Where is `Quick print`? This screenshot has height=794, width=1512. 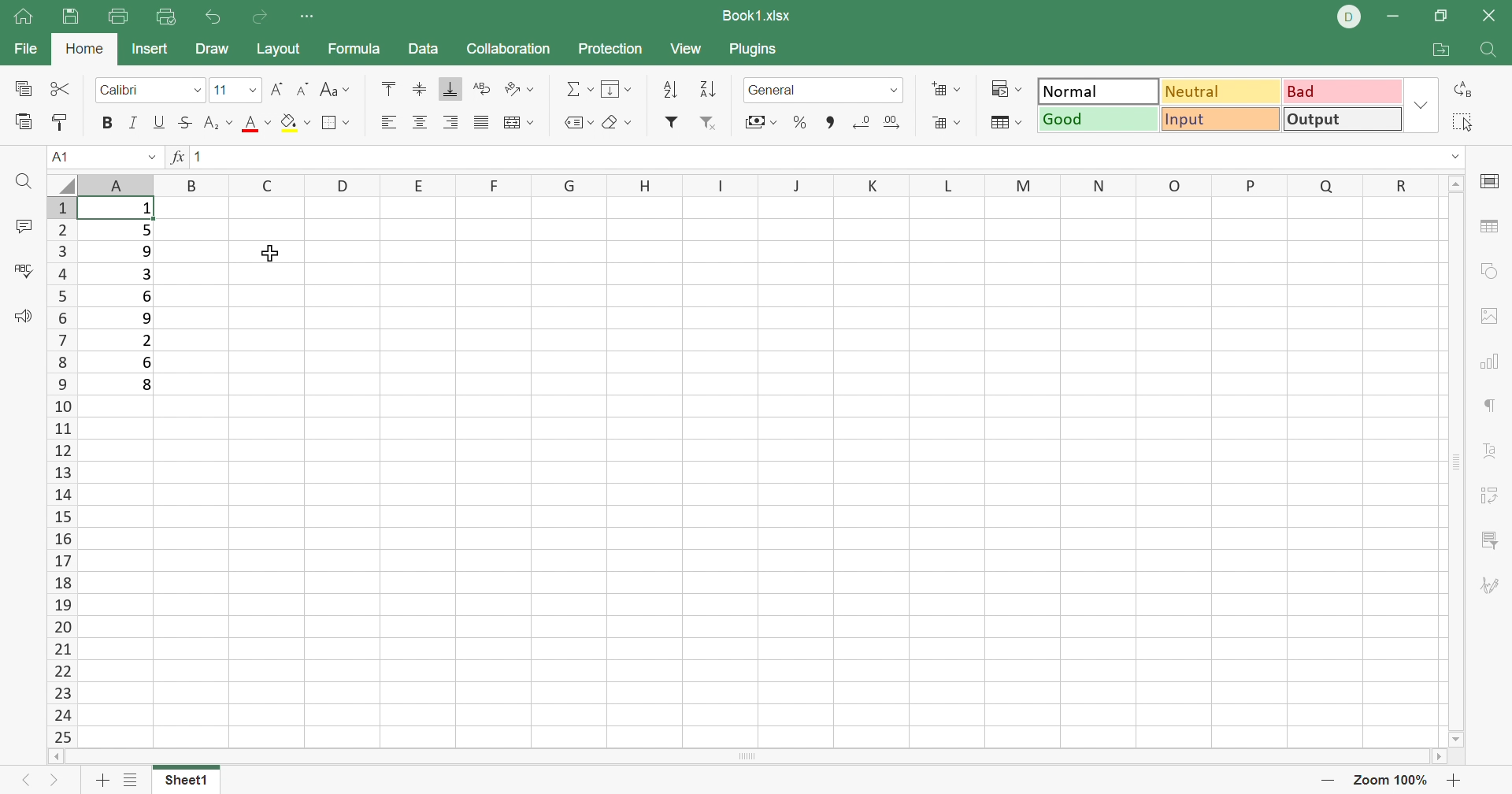 Quick print is located at coordinates (165, 16).